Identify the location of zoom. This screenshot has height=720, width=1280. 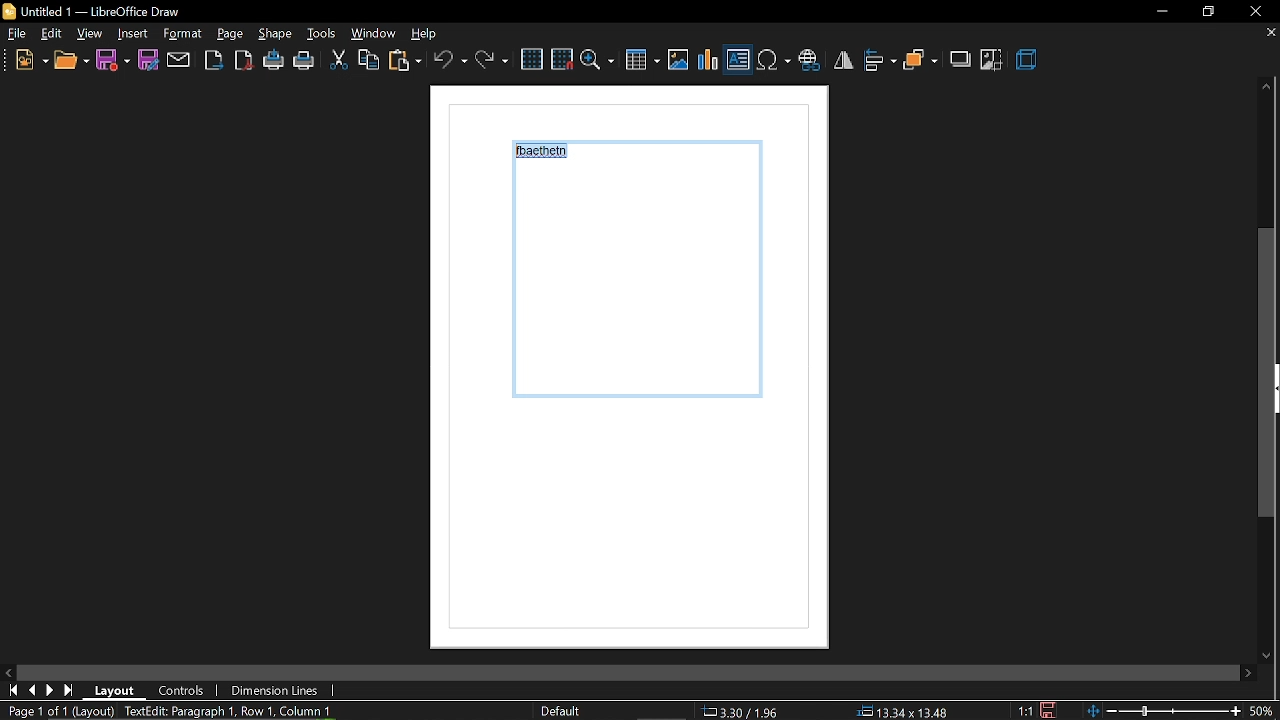
(598, 59).